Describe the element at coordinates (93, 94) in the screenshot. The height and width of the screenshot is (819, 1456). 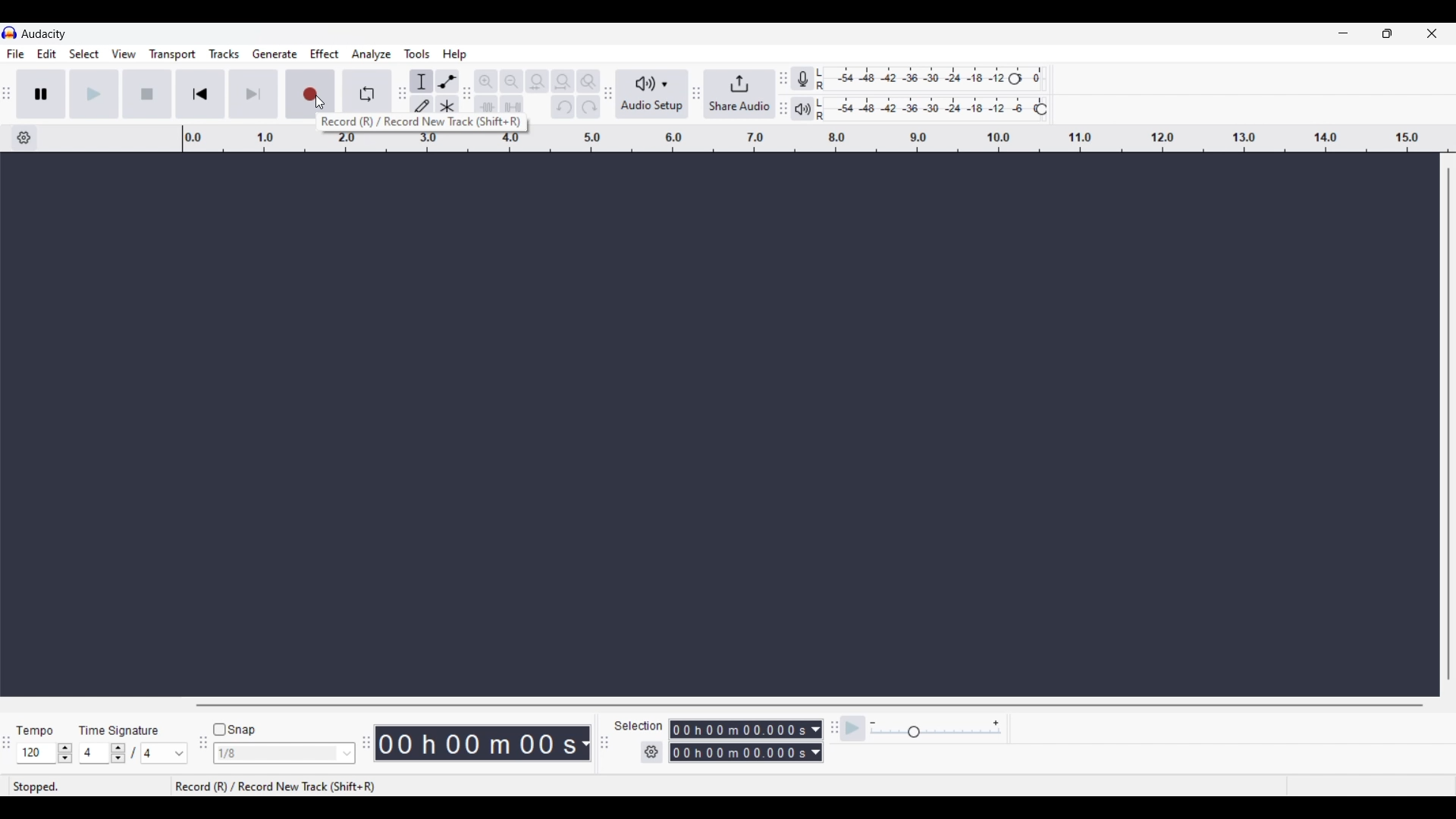
I see `Play/Play once` at that location.